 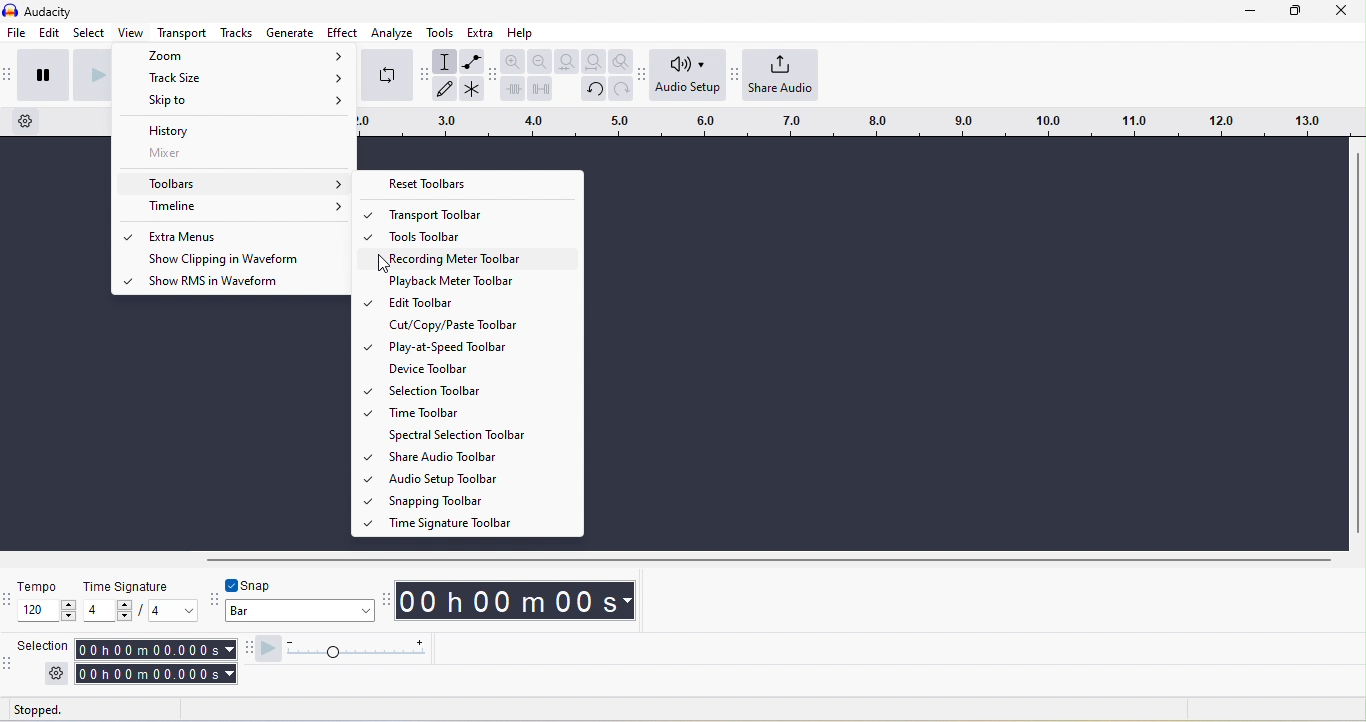 What do you see at coordinates (621, 89) in the screenshot?
I see `redo` at bounding box center [621, 89].